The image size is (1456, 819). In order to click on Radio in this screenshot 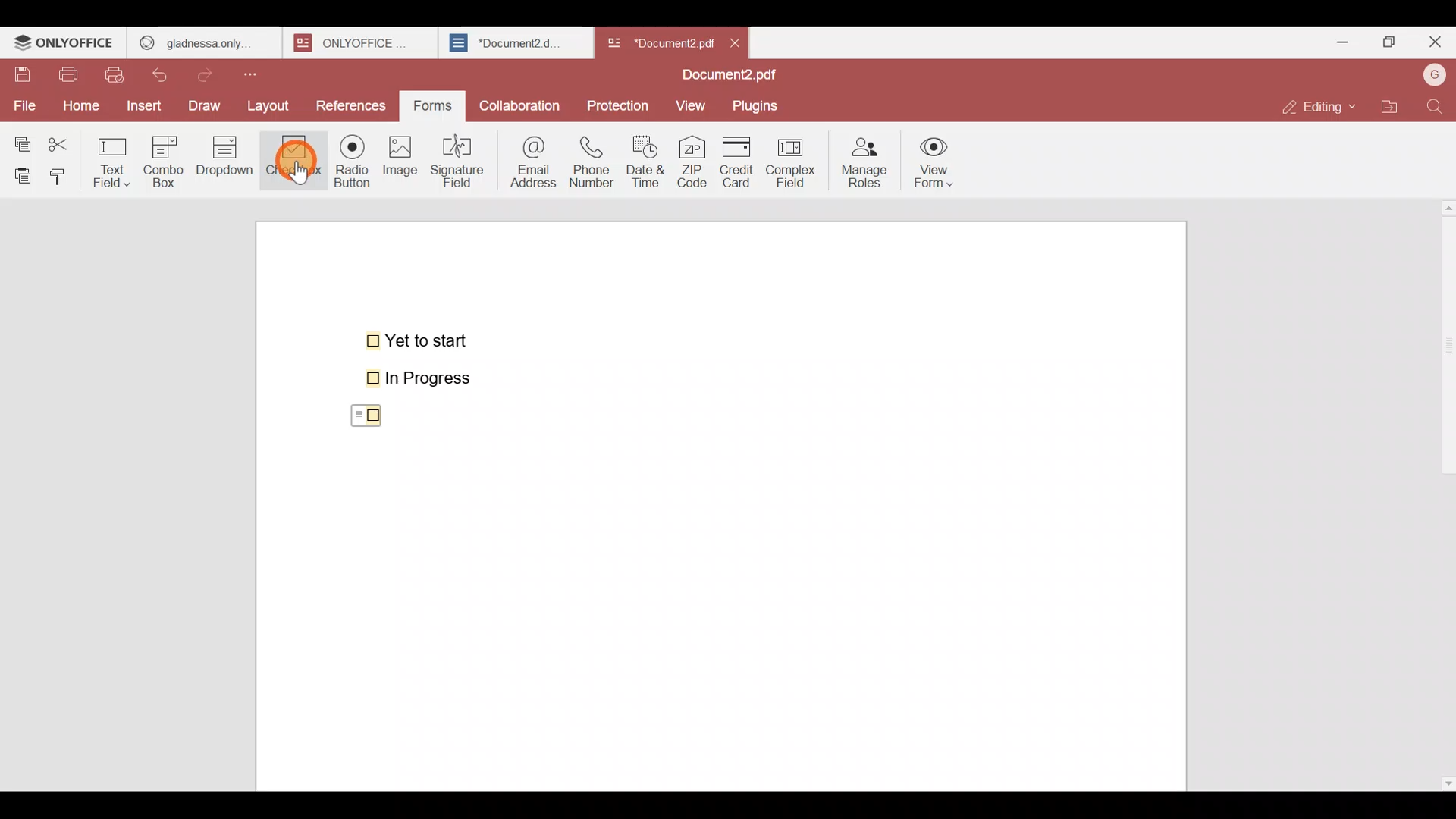, I will do `click(347, 165)`.